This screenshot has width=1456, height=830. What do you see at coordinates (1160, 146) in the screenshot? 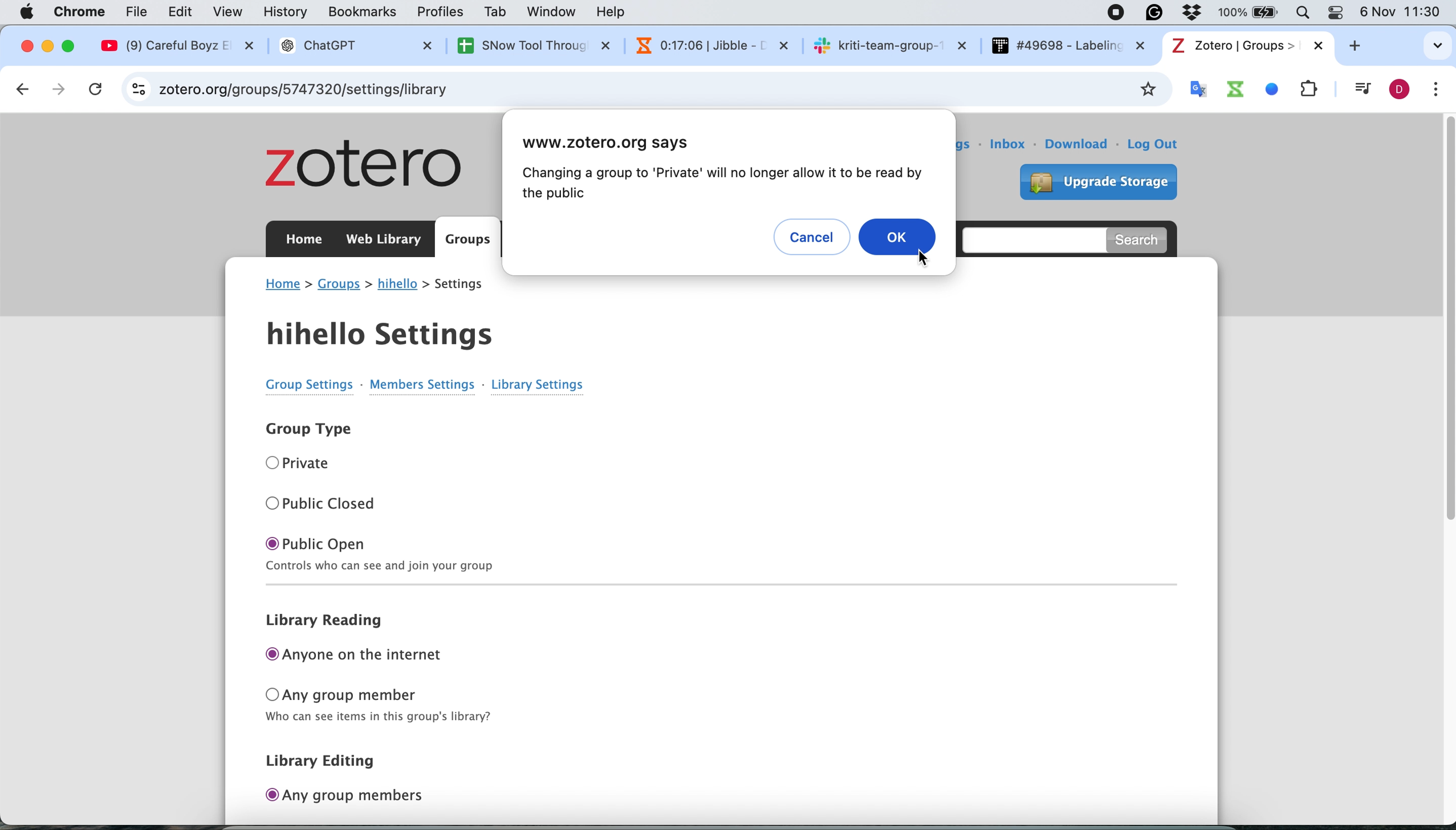
I see `log out` at bounding box center [1160, 146].